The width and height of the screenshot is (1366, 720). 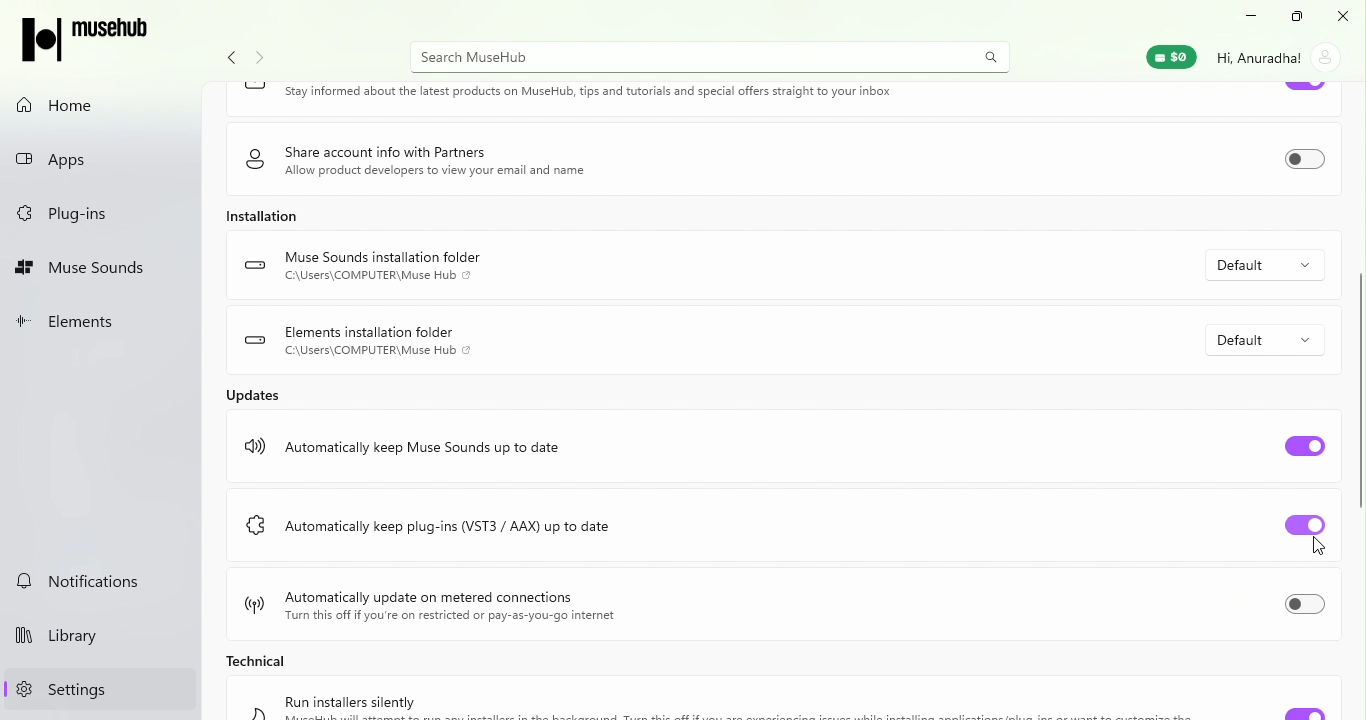 What do you see at coordinates (97, 689) in the screenshot?
I see `Settings` at bounding box center [97, 689].